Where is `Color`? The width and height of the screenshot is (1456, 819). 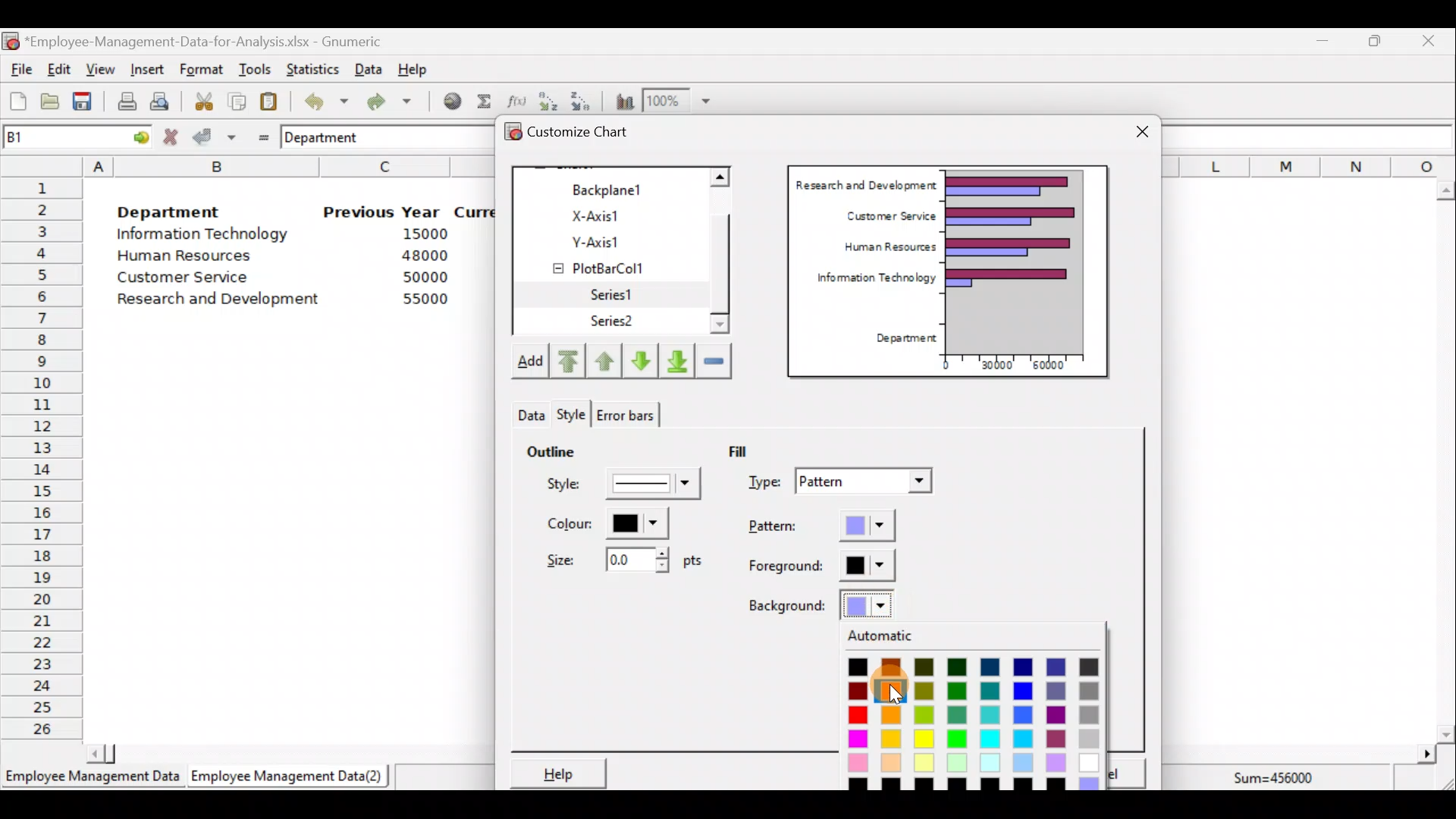 Color is located at coordinates (604, 523).